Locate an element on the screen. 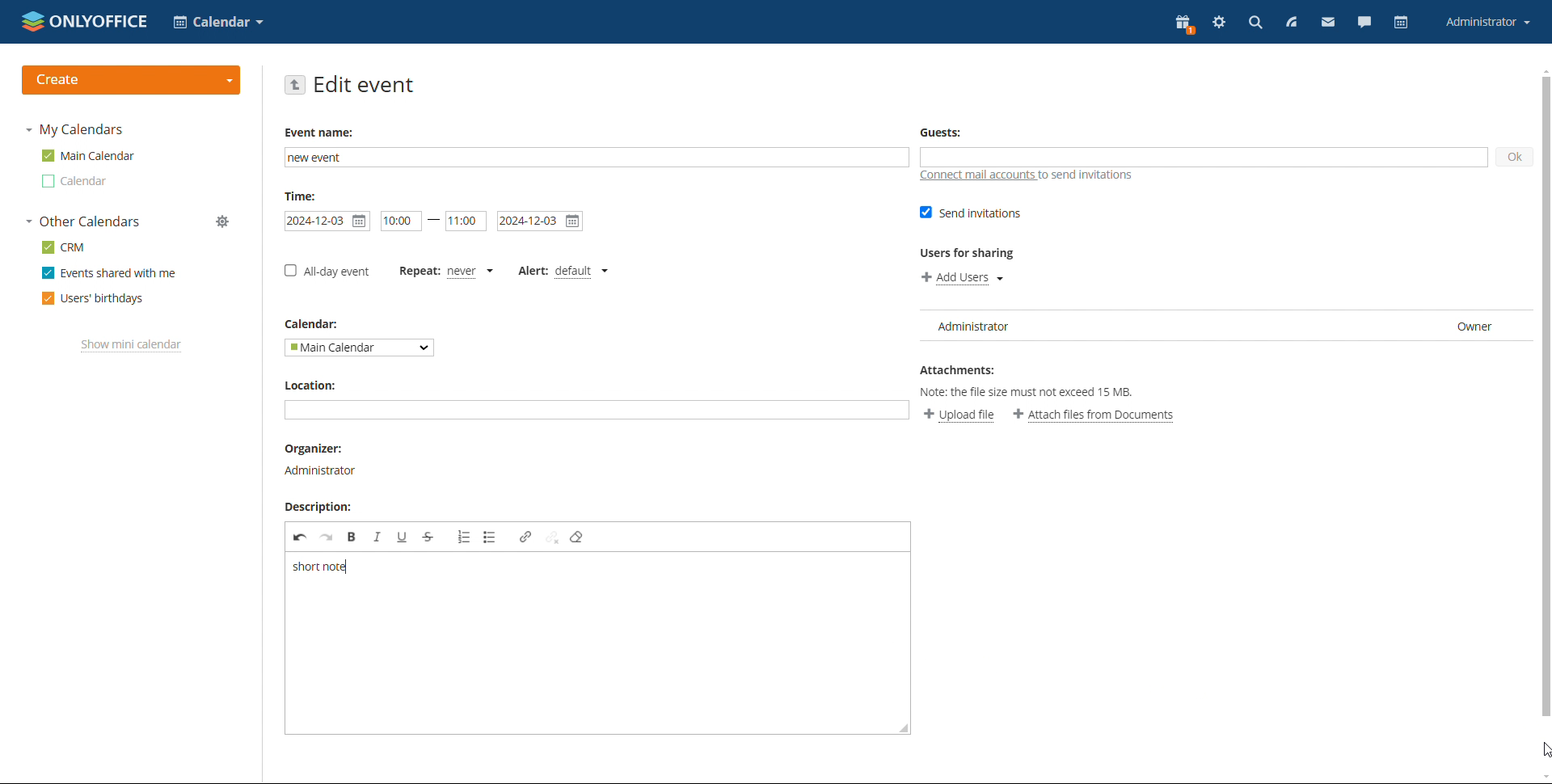 Image resolution: width=1552 pixels, height=784 pixels. create is located at coordinates (132, 80).